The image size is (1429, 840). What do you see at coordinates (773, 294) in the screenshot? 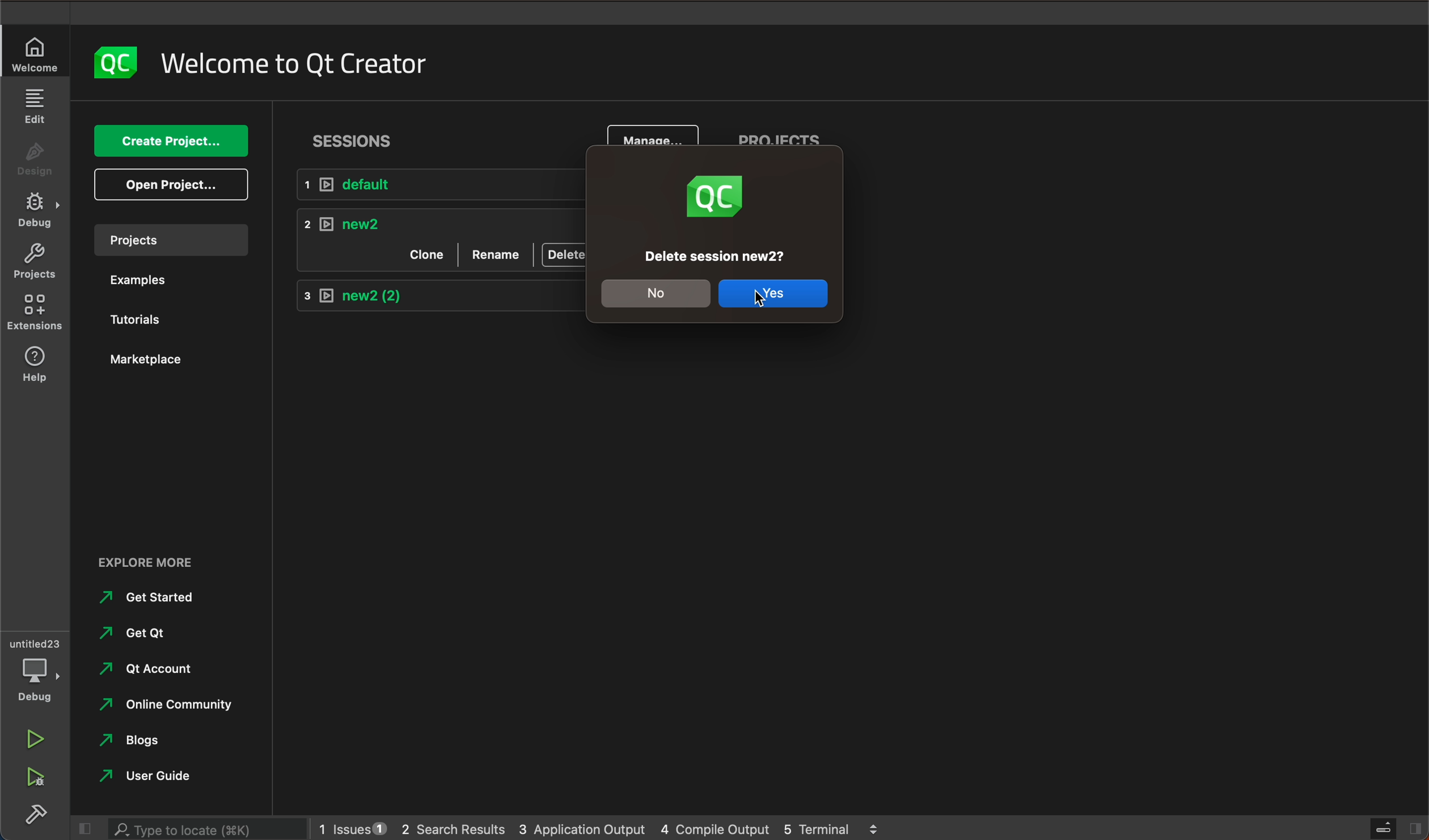
I see `yes` at bounding box center [773, 294].